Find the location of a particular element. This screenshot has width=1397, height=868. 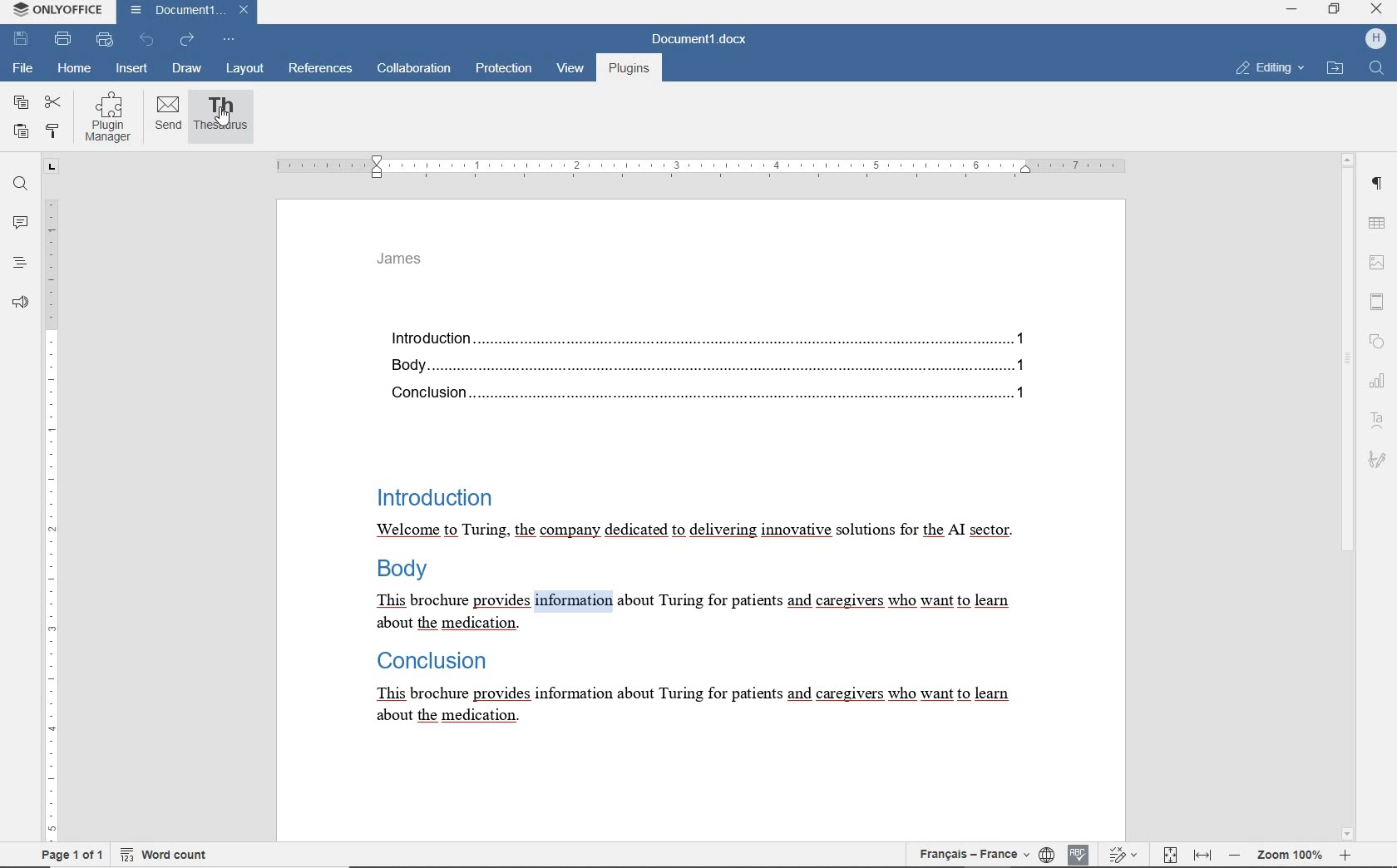

HEADER TEXT is located at coordinates (403, 264).